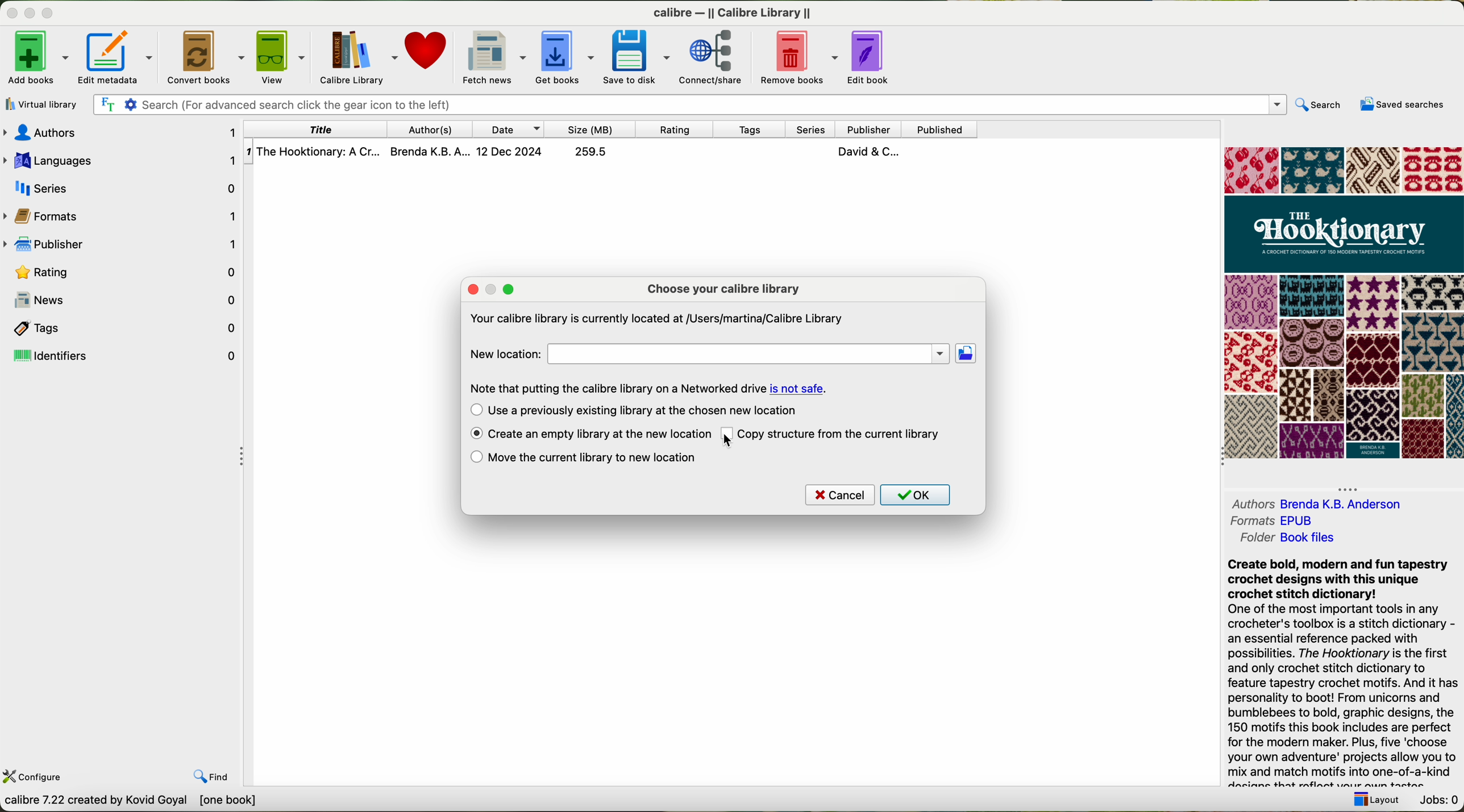  I want to click on formats EPUB, so click(1270, 521).